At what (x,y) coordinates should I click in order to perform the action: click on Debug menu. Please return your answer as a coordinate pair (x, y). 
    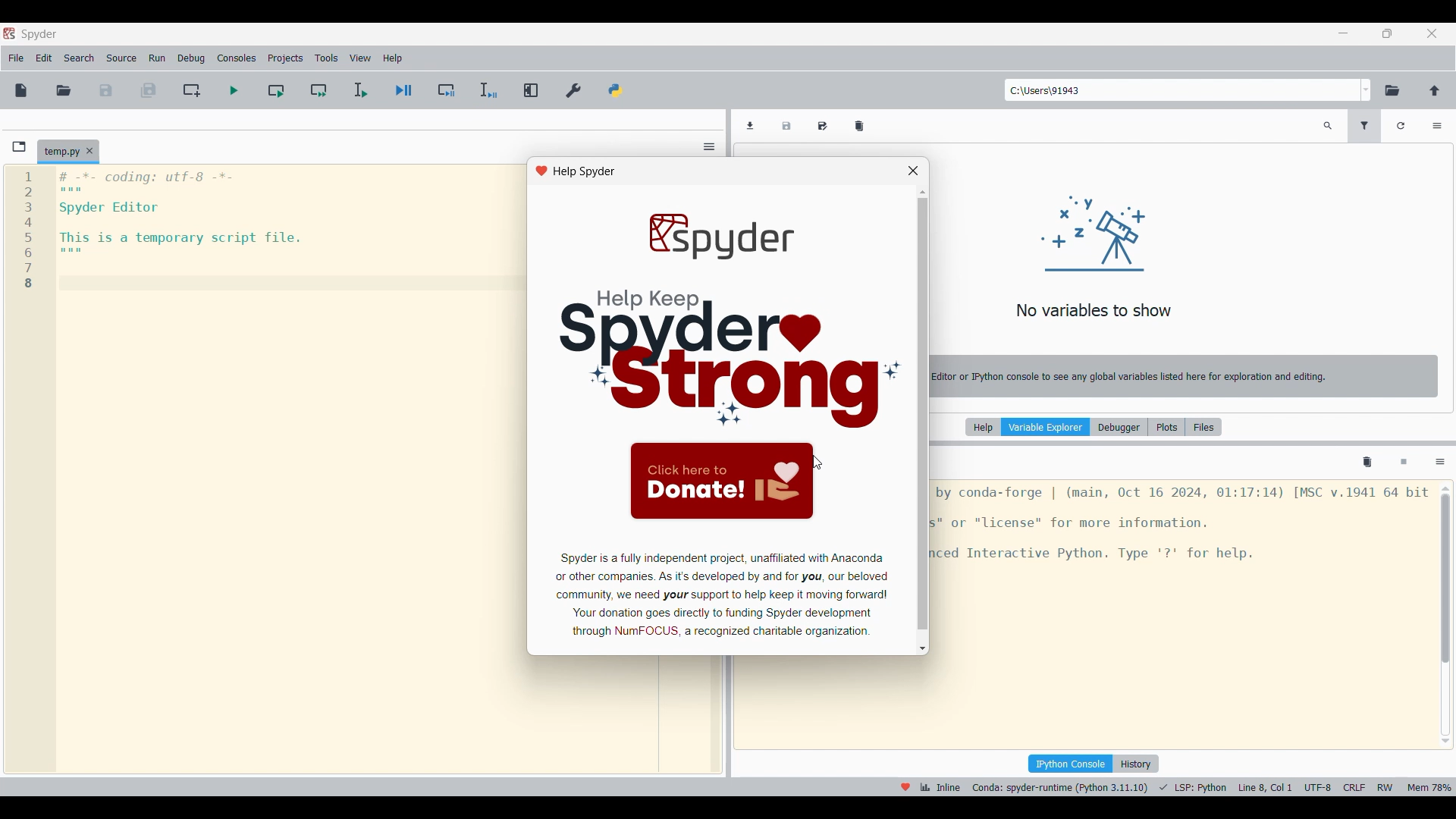
    Looking at the image, I should click on (191, 58).